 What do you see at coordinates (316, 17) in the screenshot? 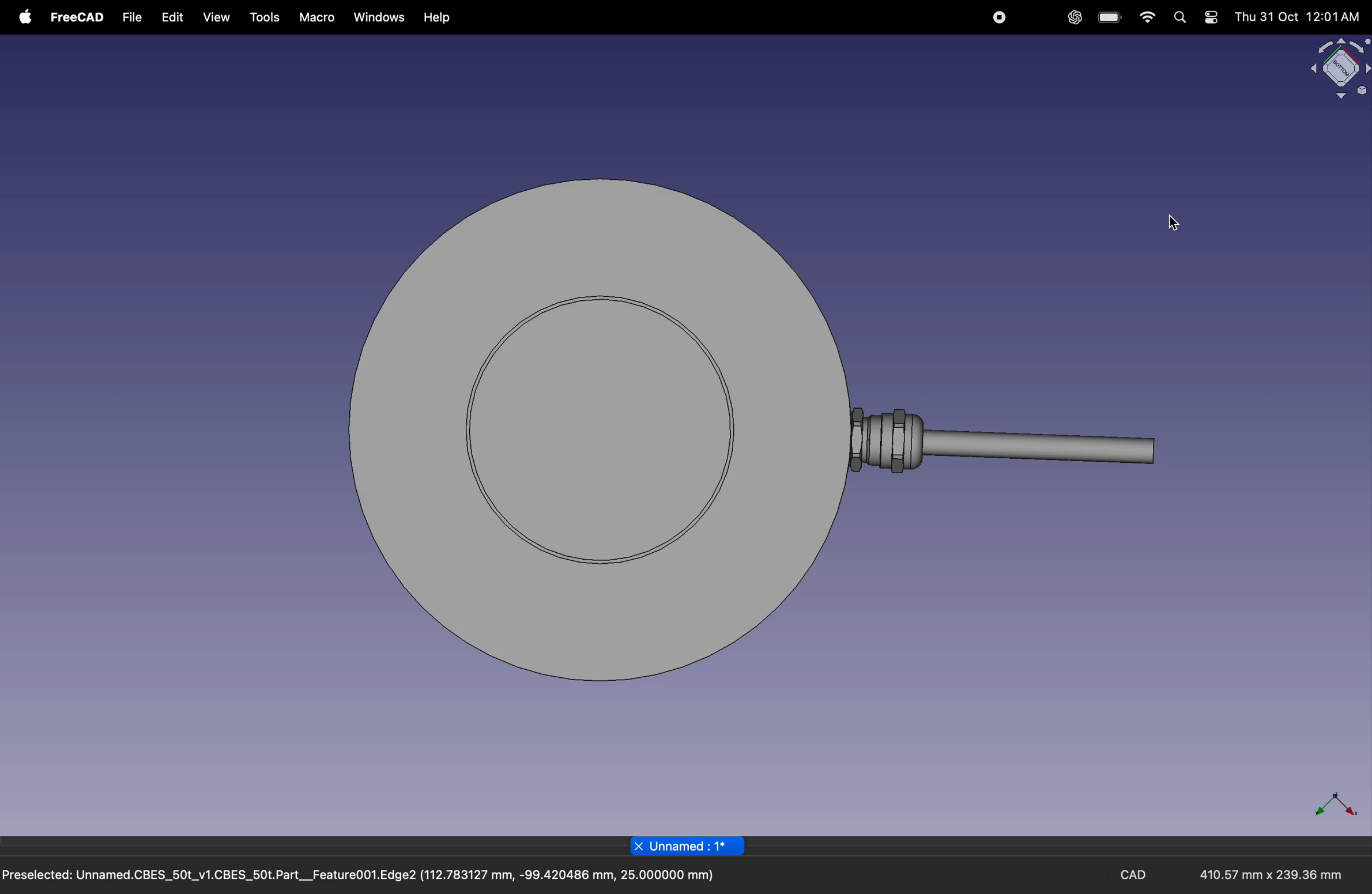
I see `marco` at bounding box center [316, 17].